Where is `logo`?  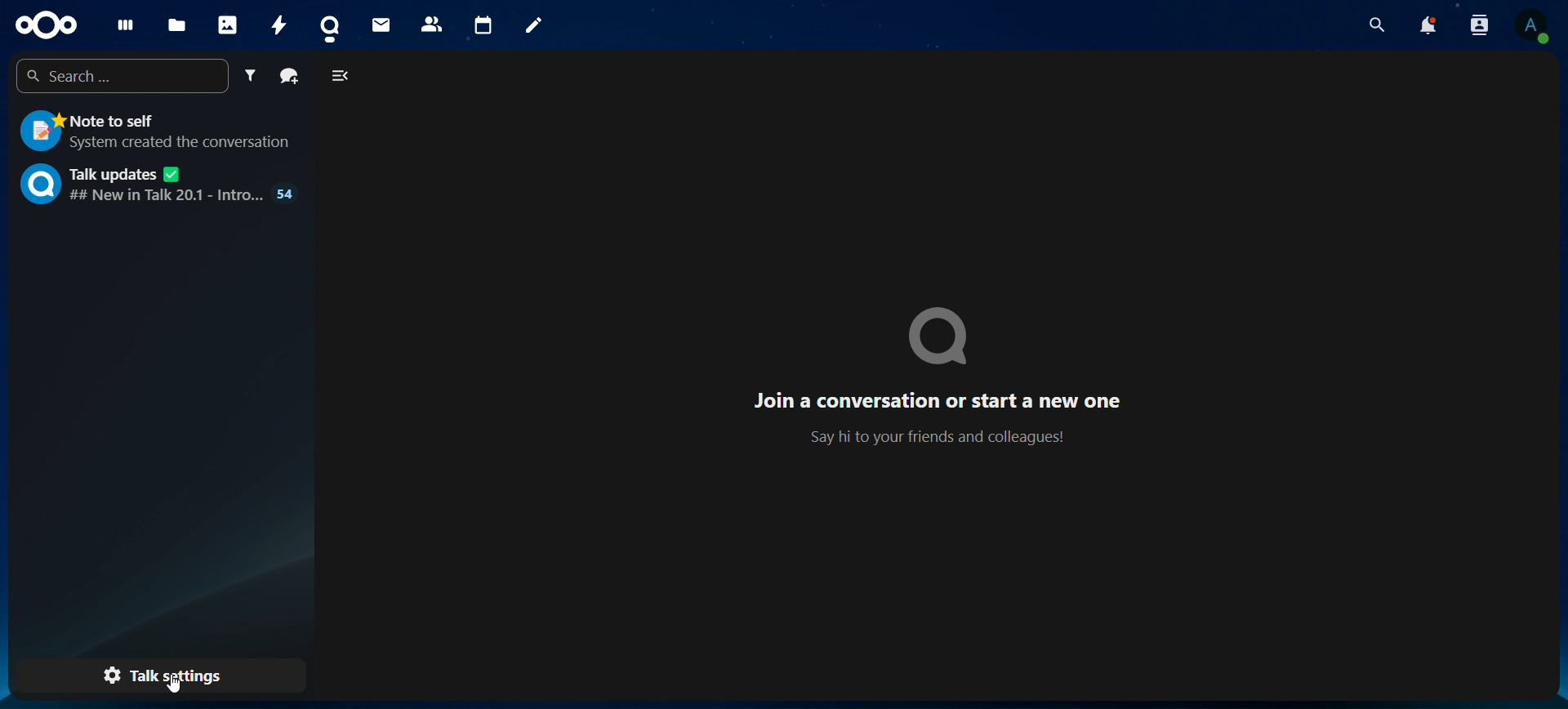 logo is located at coordinates (47, 25).